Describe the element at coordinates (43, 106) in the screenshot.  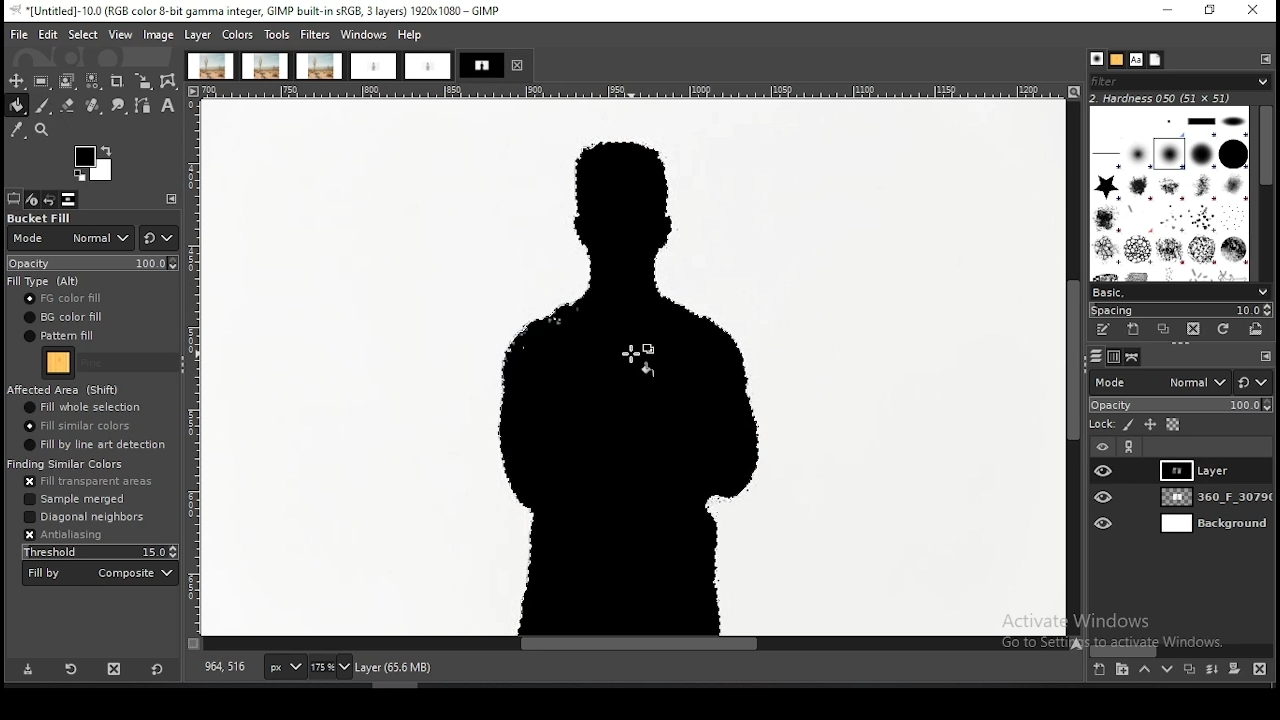
I see `paintbrush tool` at that location.